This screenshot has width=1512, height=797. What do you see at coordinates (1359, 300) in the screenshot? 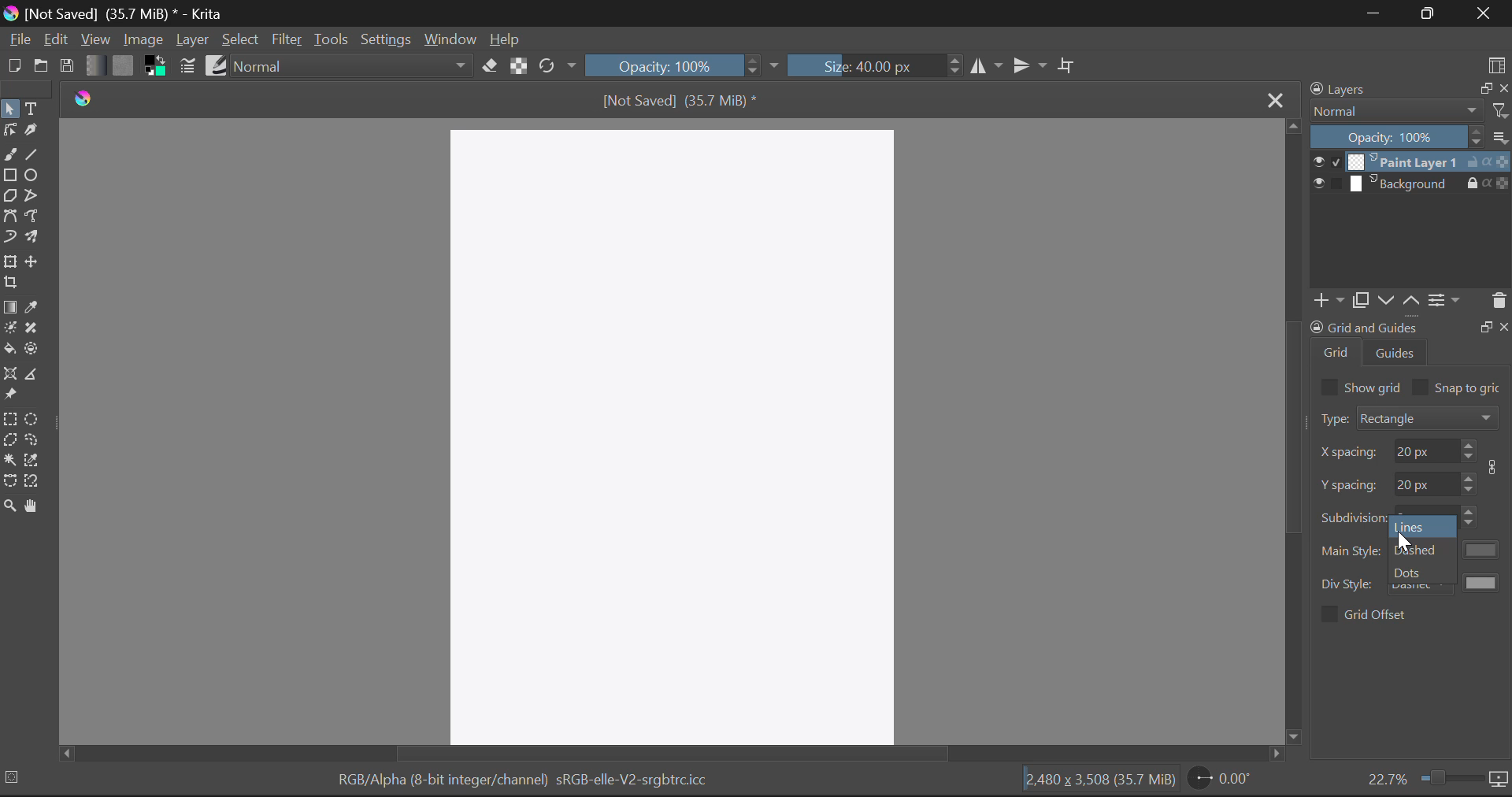
I see `copy` at bounding box center [1359, 300].